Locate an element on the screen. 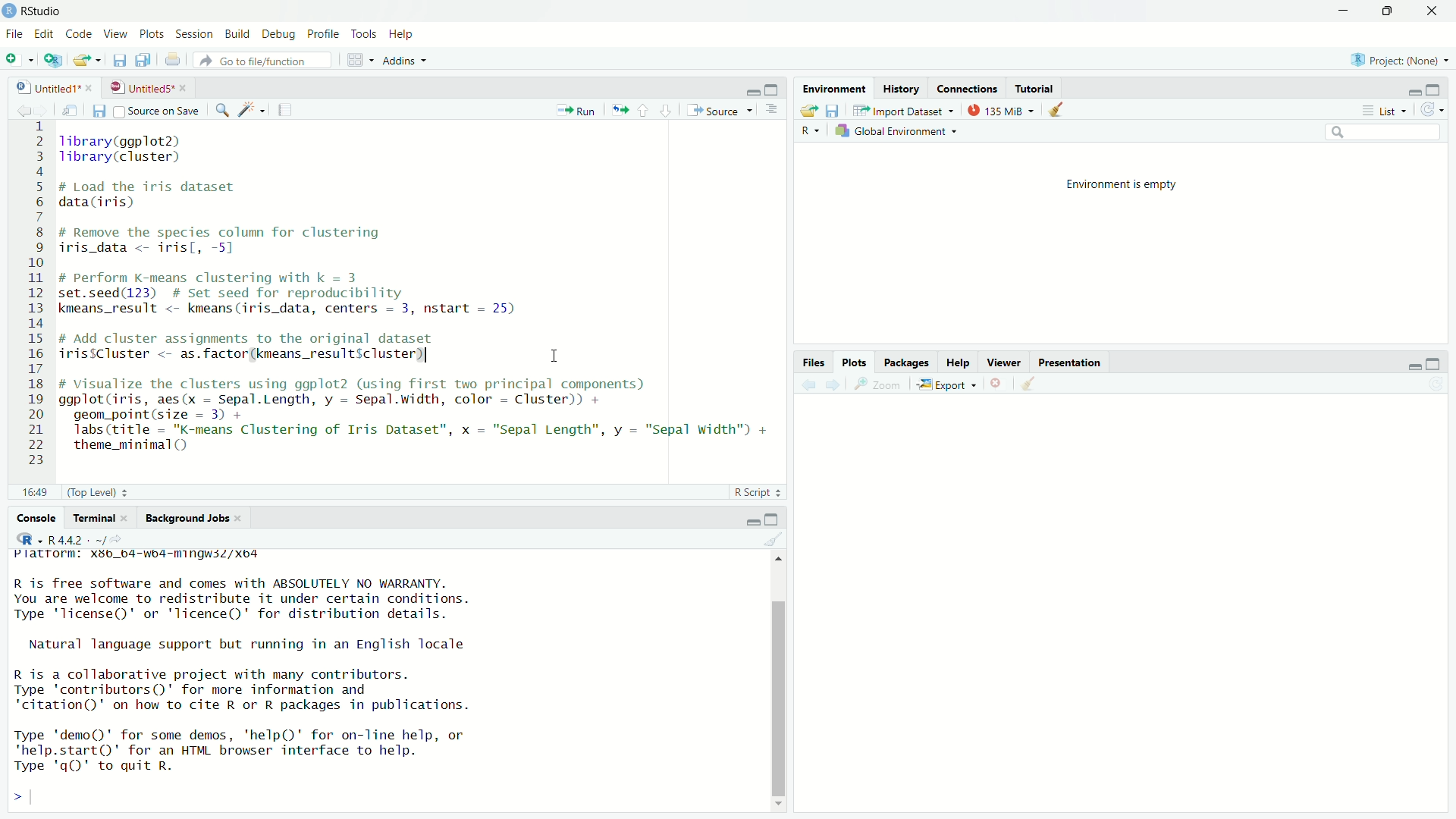  import dataset is located at coordinates (902, 110).